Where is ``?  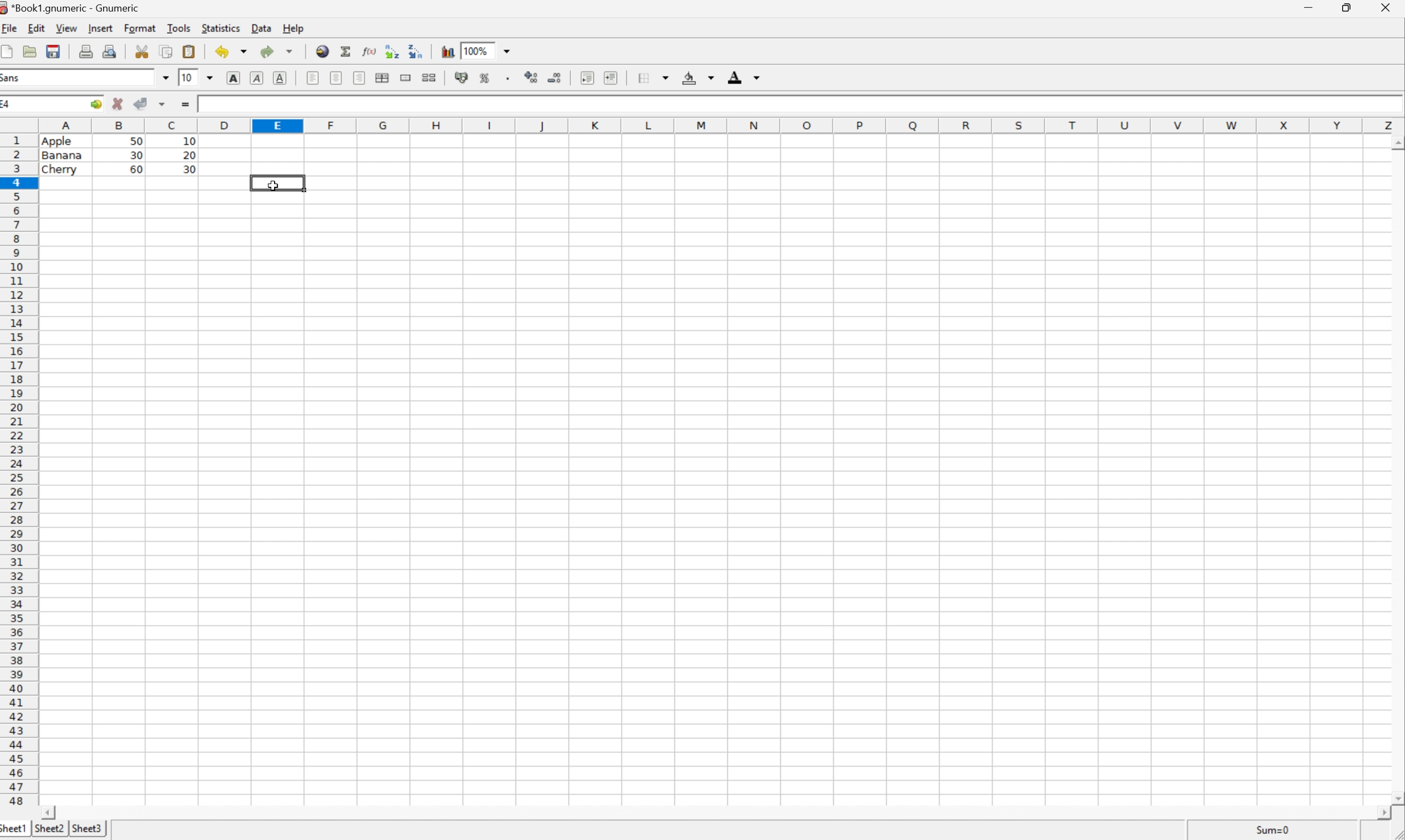  is located at coordinates (795, 104).